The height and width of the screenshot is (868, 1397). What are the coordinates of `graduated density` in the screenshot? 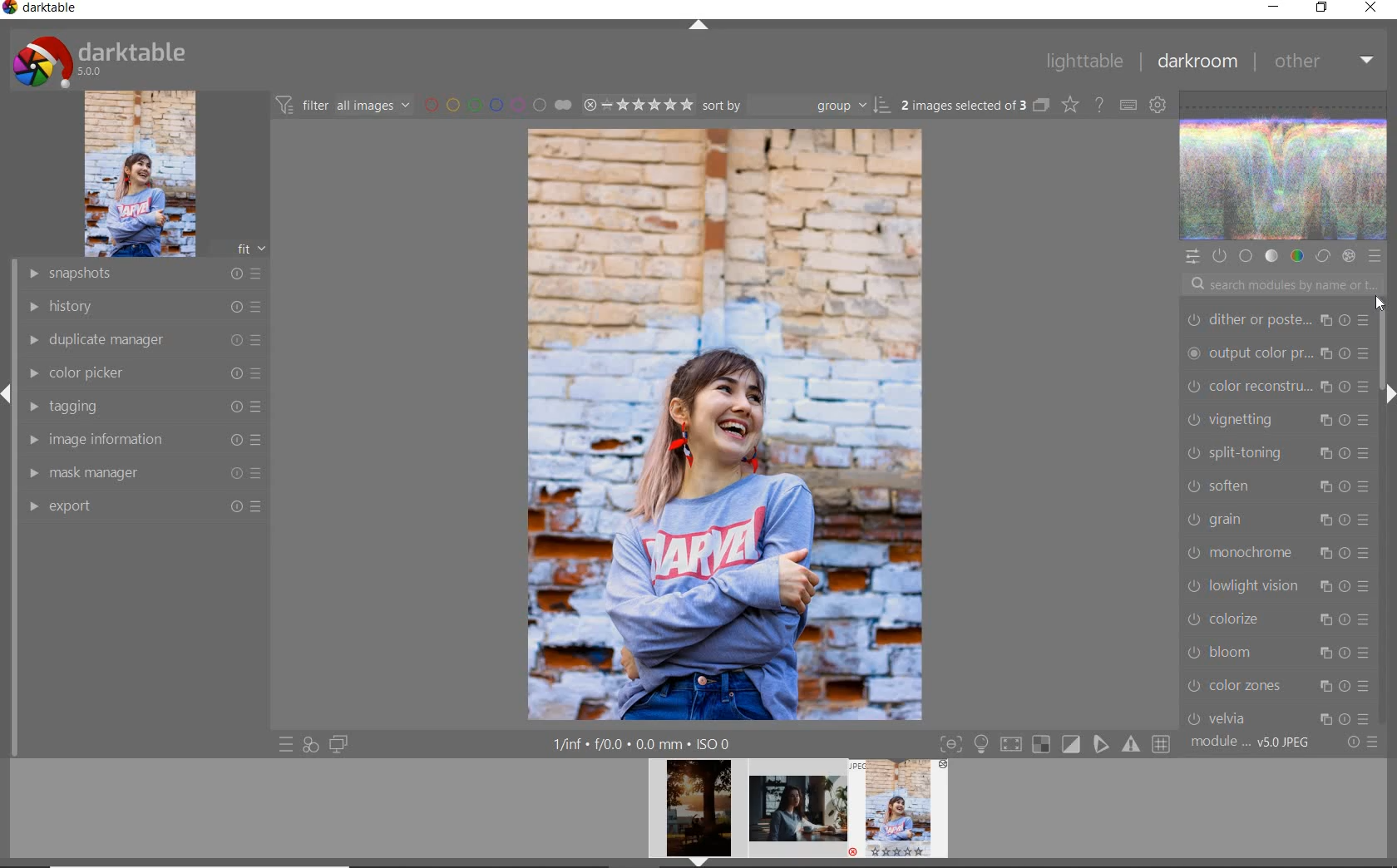 It's located at (1275, 316).